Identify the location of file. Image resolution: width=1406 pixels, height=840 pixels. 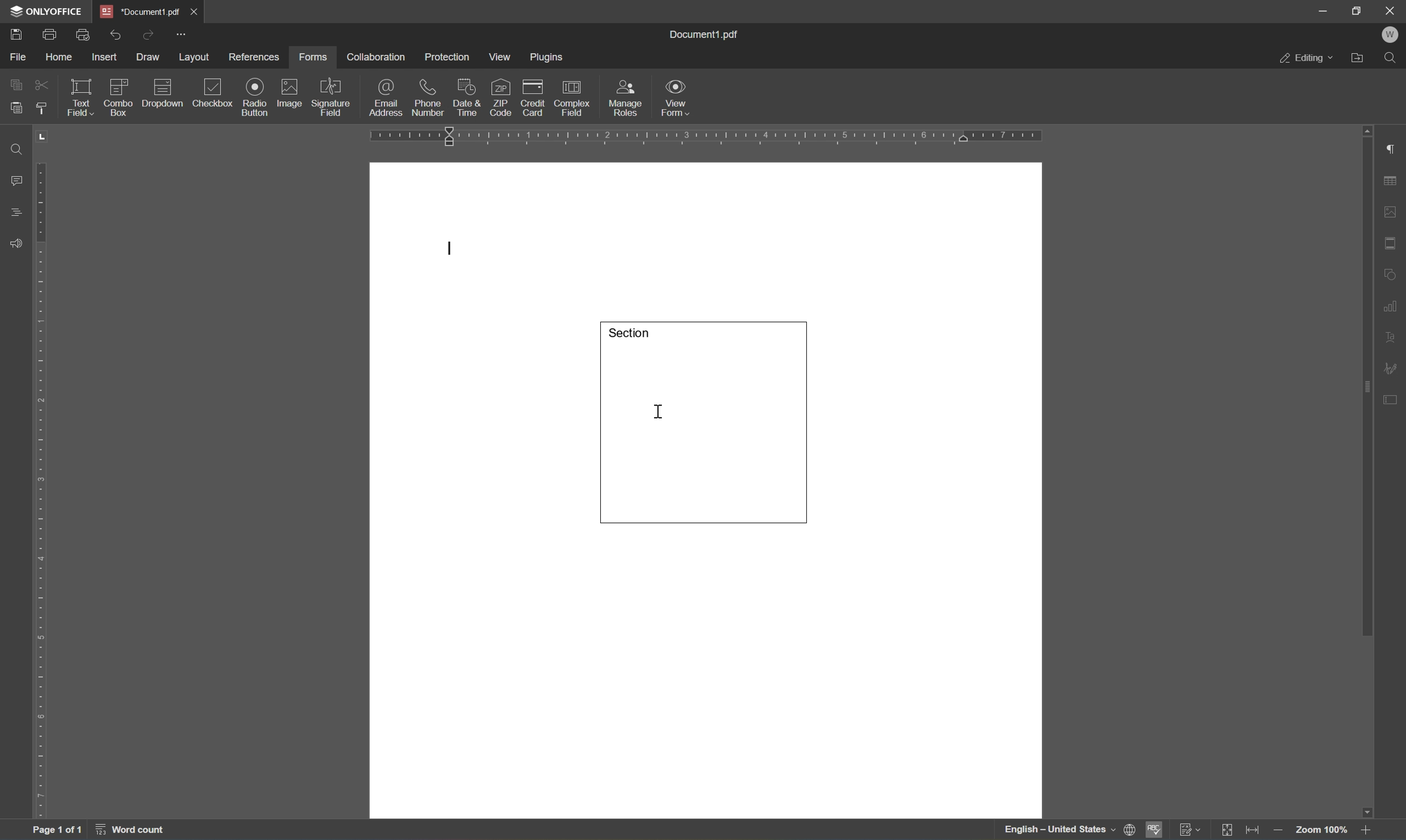
(19, 55).